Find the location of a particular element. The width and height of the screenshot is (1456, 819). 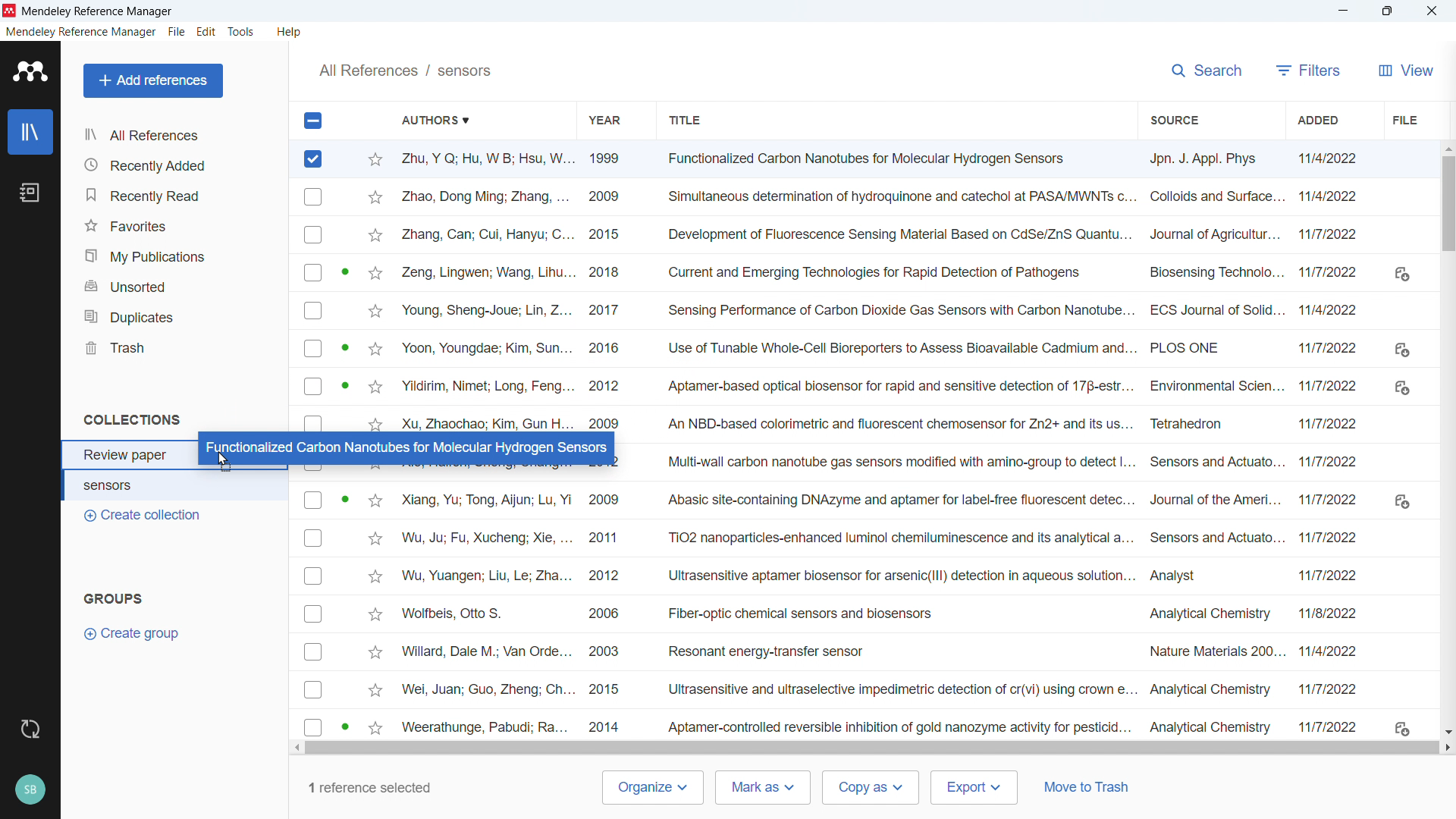

Year of publication of individual entries  is located at coordinates (605, 288).